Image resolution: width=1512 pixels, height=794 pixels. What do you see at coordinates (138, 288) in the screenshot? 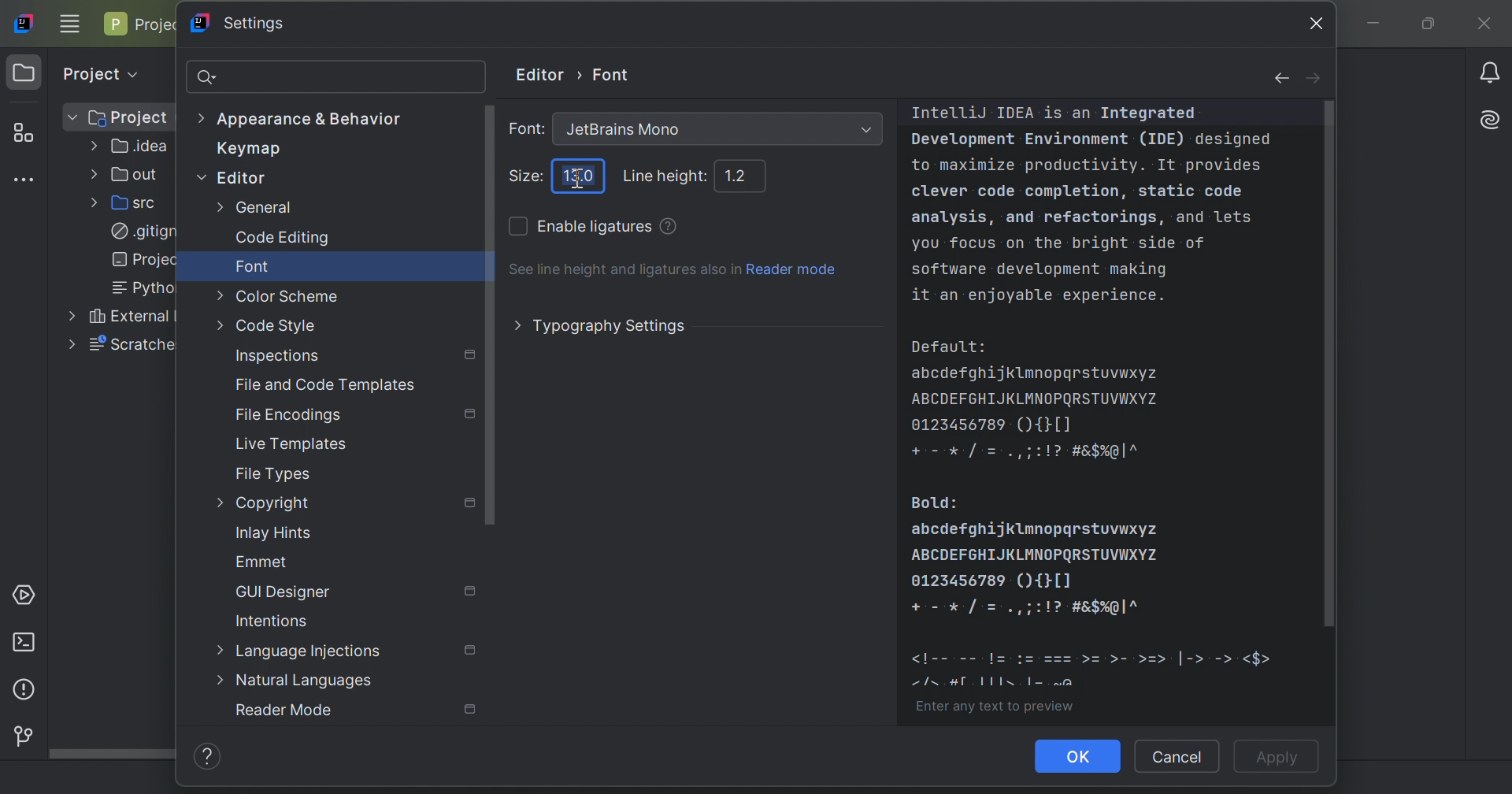
I see `Pytho` at bounding box center [138, 288].